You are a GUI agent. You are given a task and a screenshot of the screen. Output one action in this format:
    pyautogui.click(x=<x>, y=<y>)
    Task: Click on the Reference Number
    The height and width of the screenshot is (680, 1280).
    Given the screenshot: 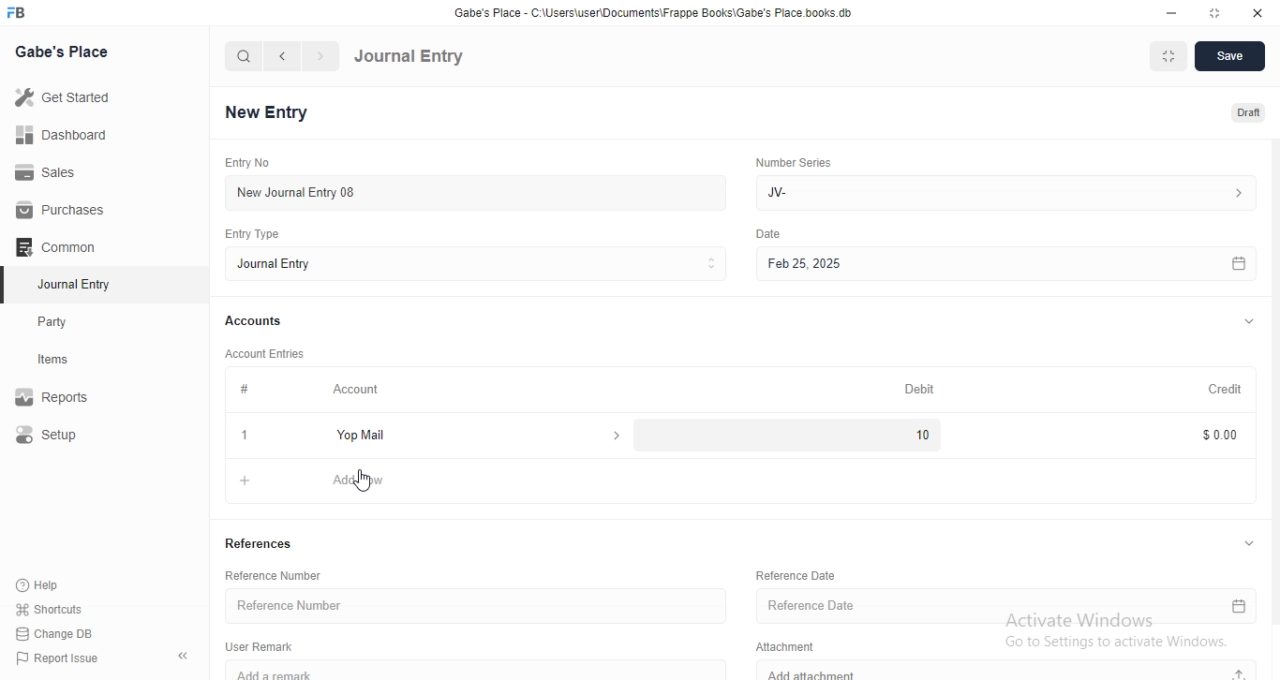 What is the action you would take?
    pyautogui.click(x=277, y=574)
    